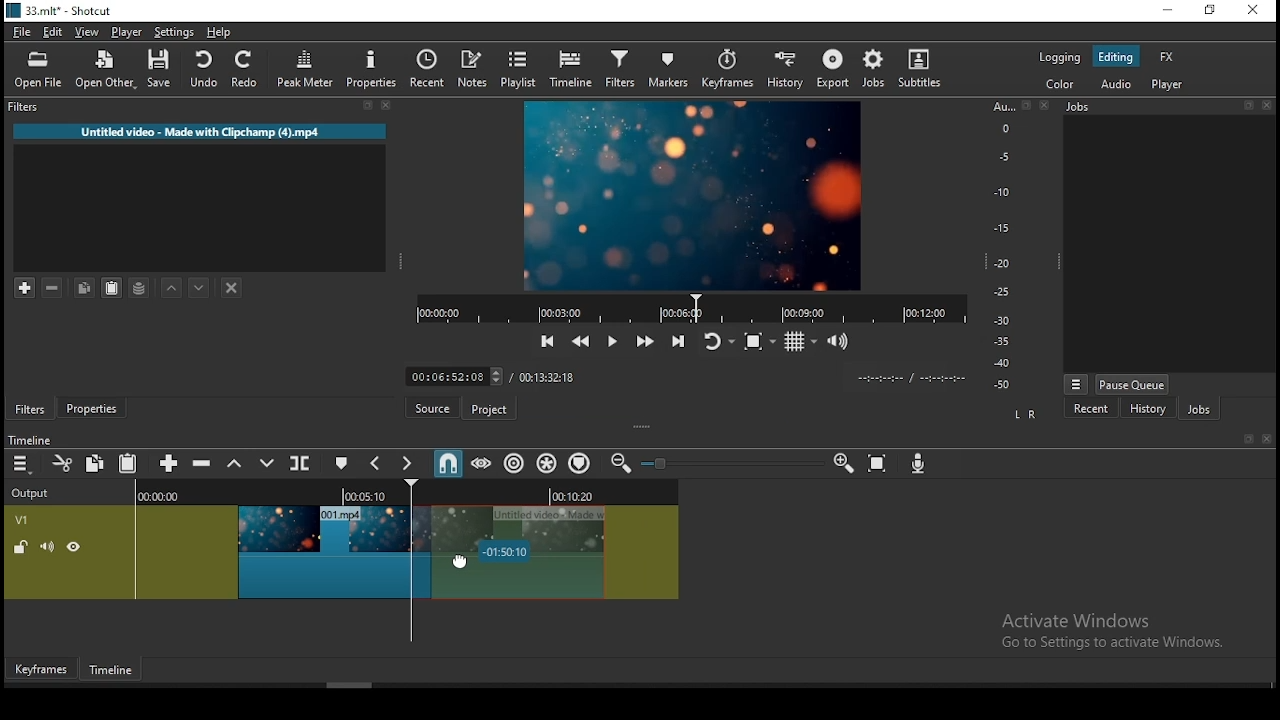 This screenshot has width=1280, height=720. I want to click on jobs, so click(1196, 406).